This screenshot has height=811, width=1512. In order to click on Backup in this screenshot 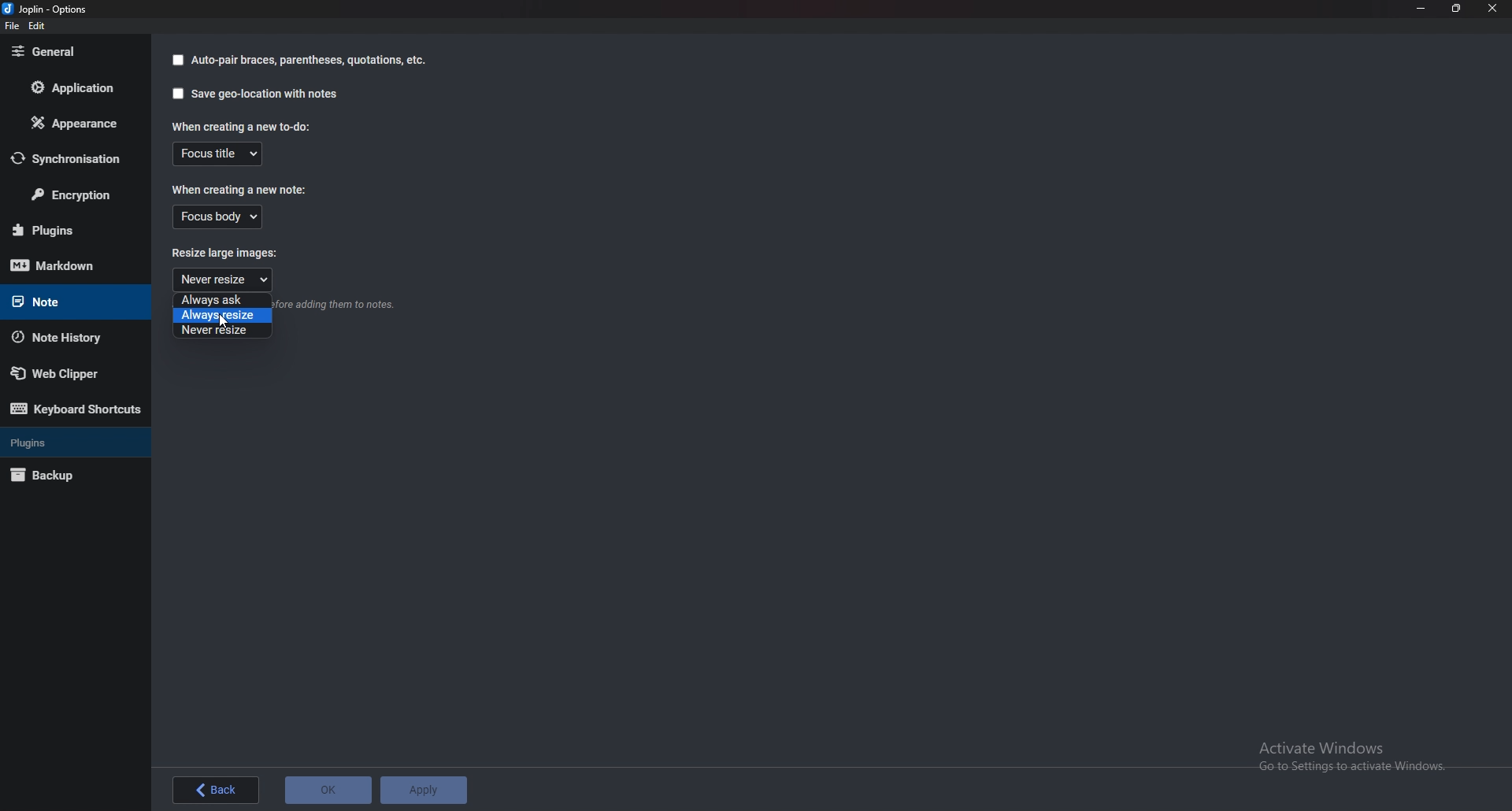, I will do `click(65, 476)`.